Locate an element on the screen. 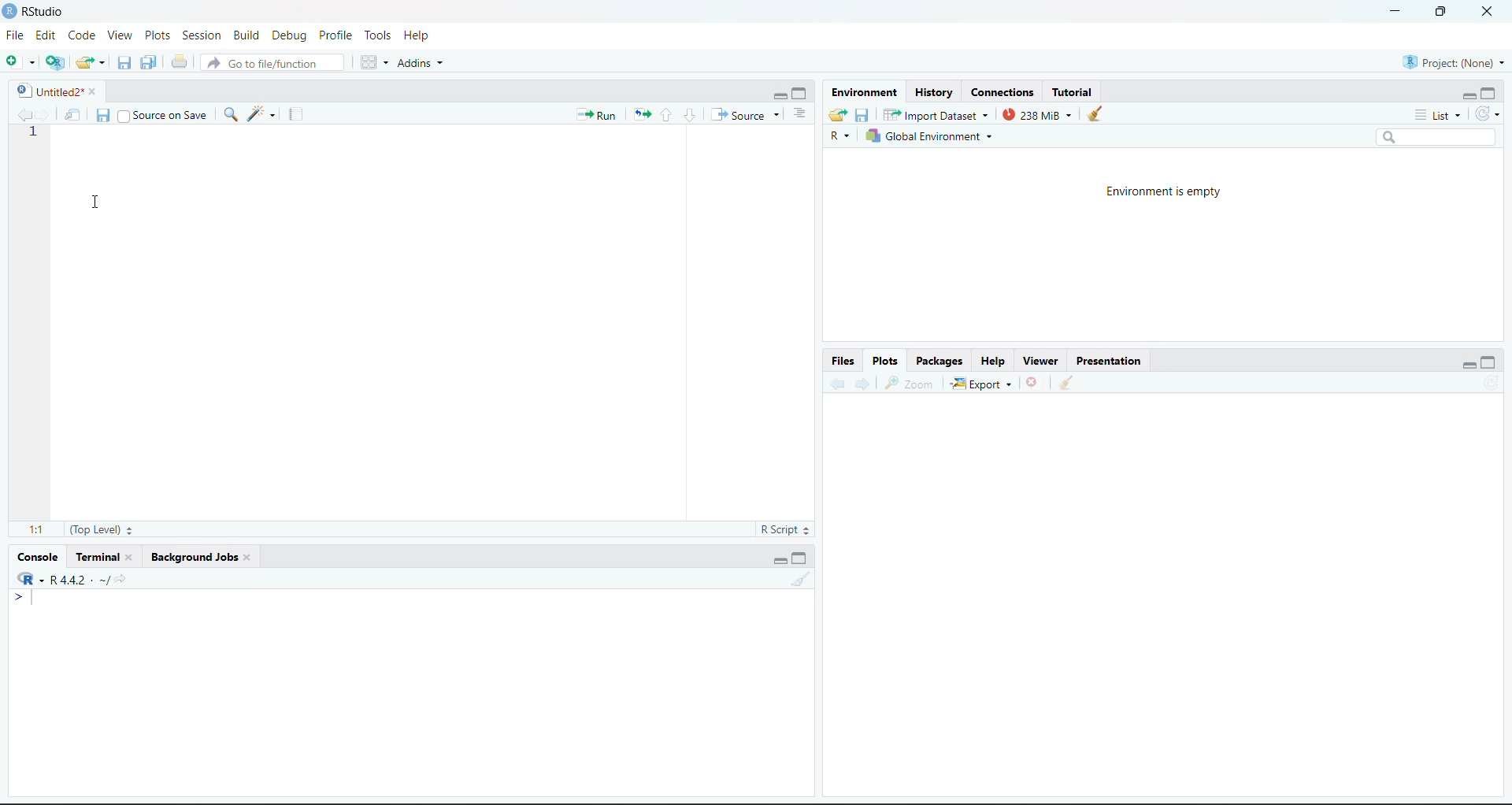 The image size is (1512, 805). Files is located at coordinates (844, 361).